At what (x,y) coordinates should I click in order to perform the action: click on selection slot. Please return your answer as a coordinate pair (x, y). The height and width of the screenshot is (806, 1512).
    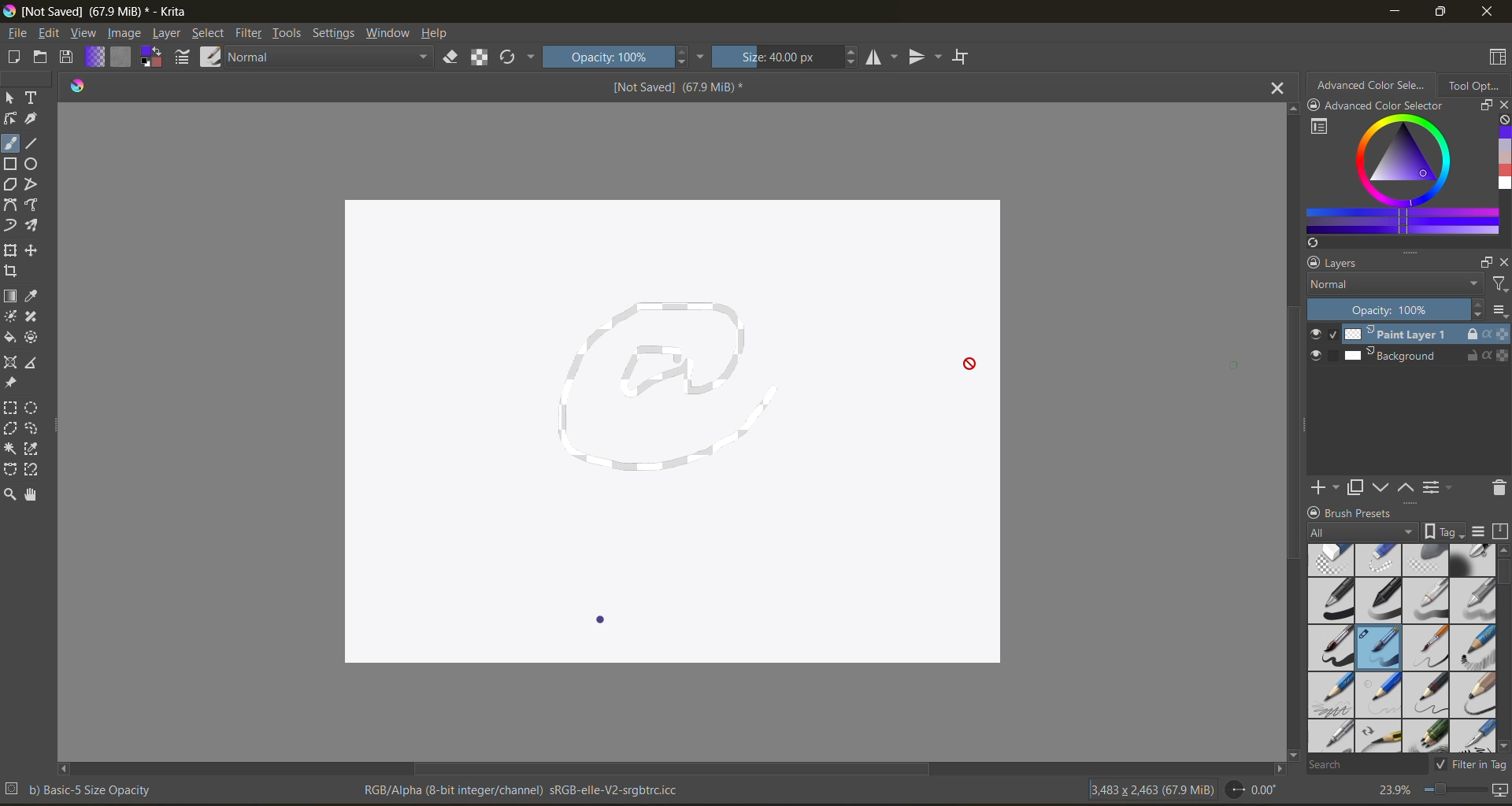
    Looking at the image, I should click on (1333, 355).